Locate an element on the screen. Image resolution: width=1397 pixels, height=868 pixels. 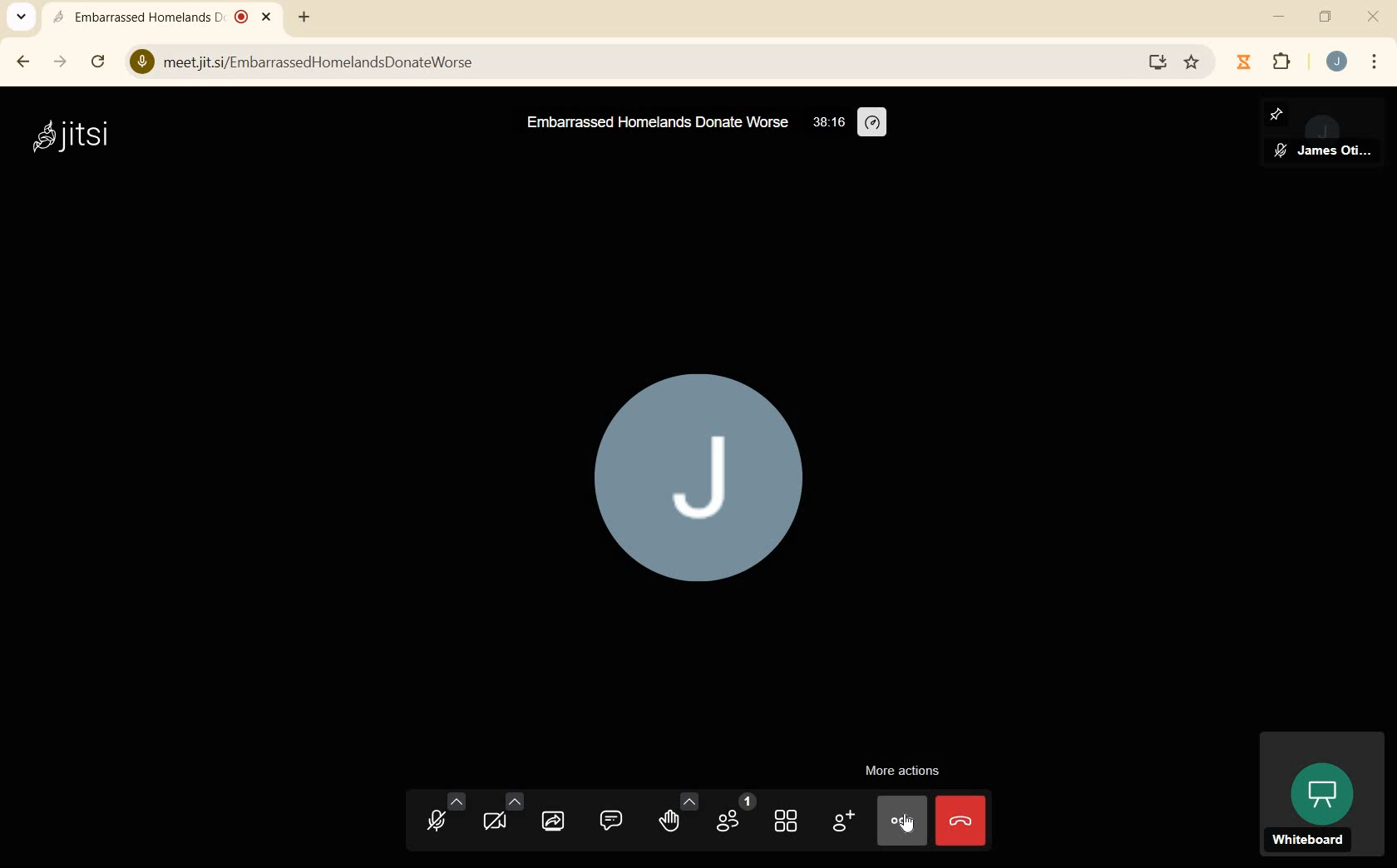
search tabs is located at coordinates (20, 17).